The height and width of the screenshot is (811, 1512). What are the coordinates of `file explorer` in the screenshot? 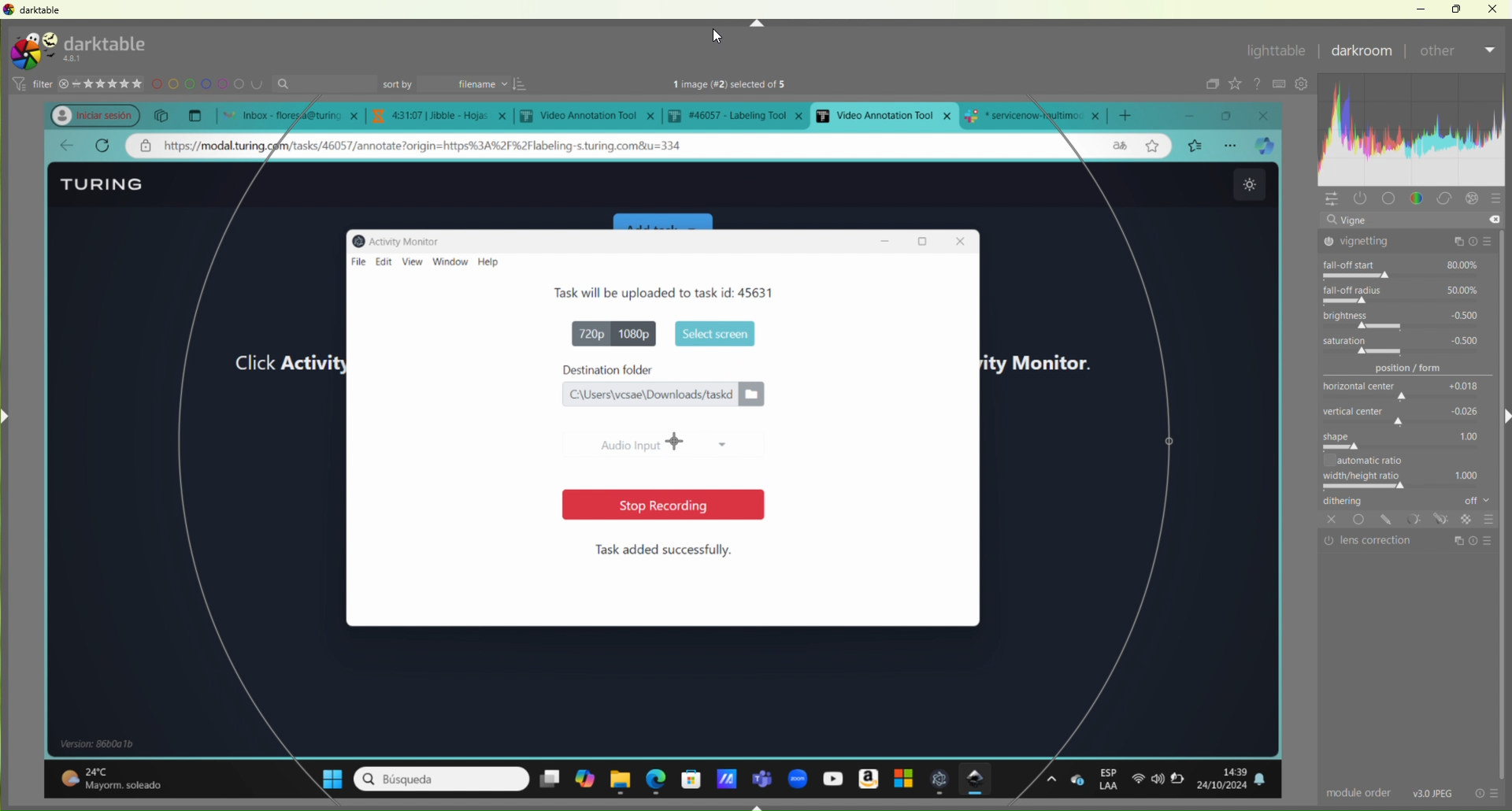 It's located at (622, 779).